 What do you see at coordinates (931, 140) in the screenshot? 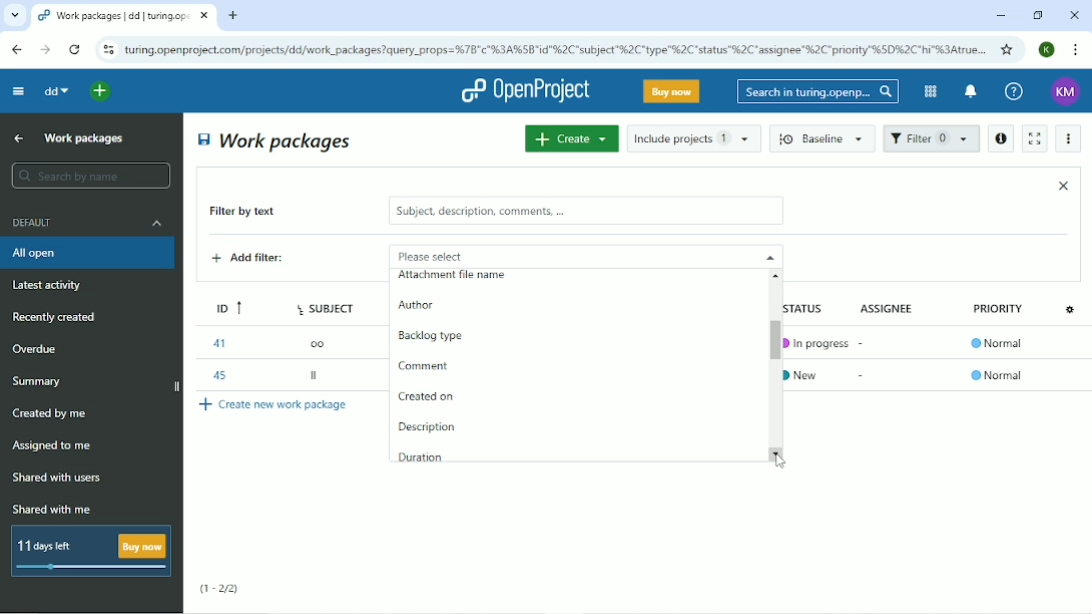
I see `Filter 1` at bounding box center [931, 140].